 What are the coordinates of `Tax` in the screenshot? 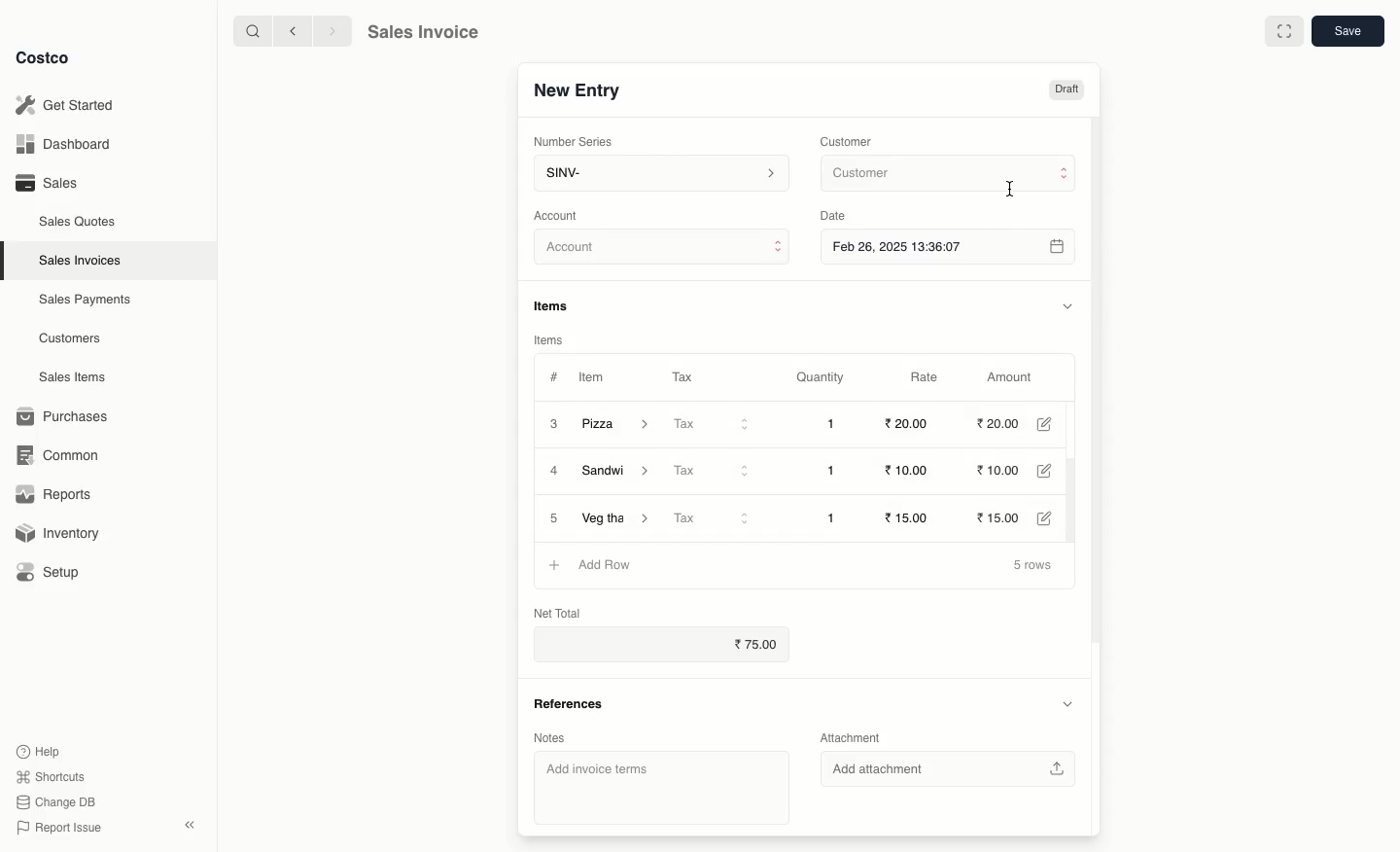 It's located at (713, 470).